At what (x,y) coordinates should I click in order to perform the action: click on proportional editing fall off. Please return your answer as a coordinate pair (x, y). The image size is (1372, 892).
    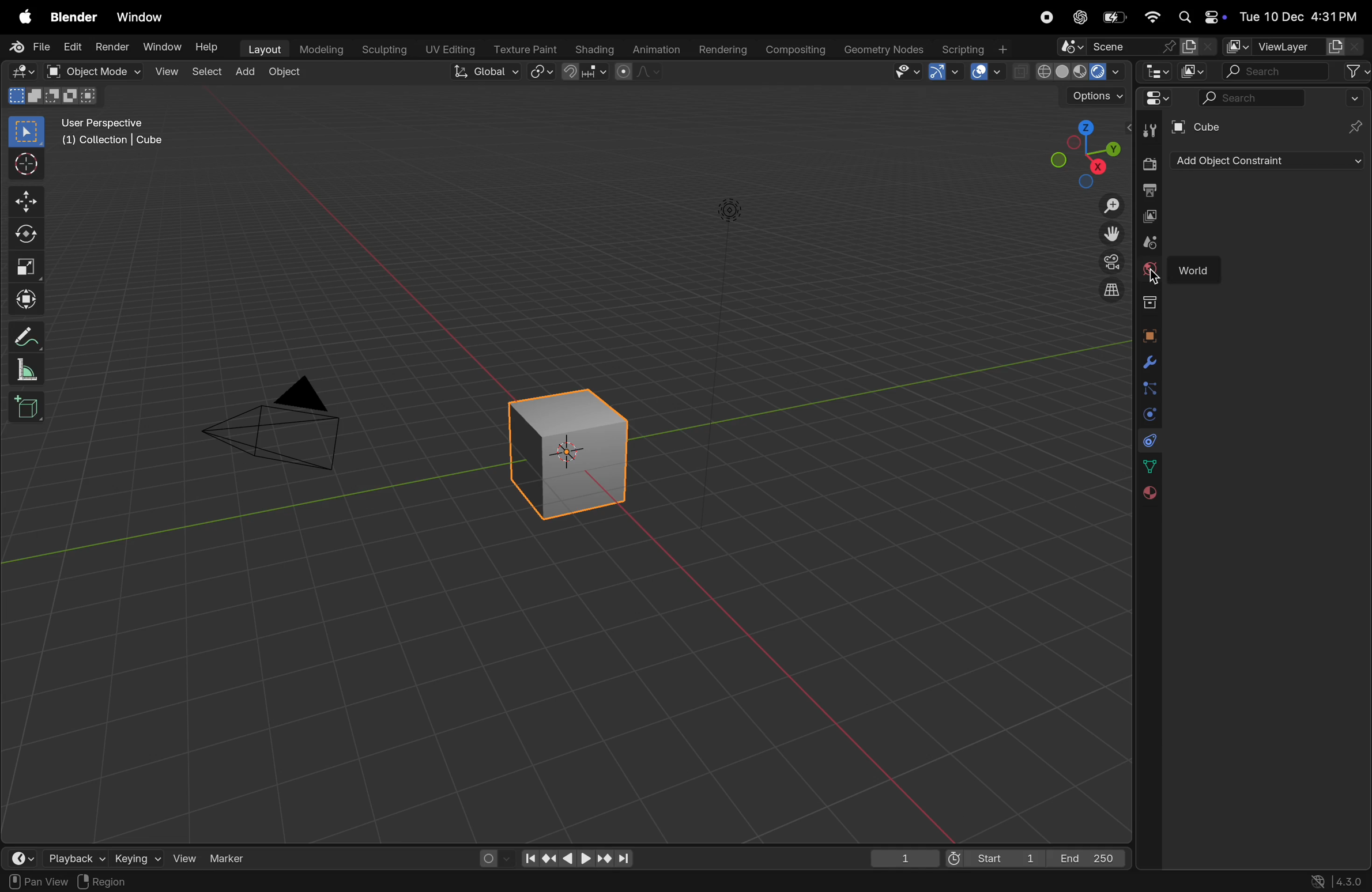
    Looking at the image, I should click on (639, 74).